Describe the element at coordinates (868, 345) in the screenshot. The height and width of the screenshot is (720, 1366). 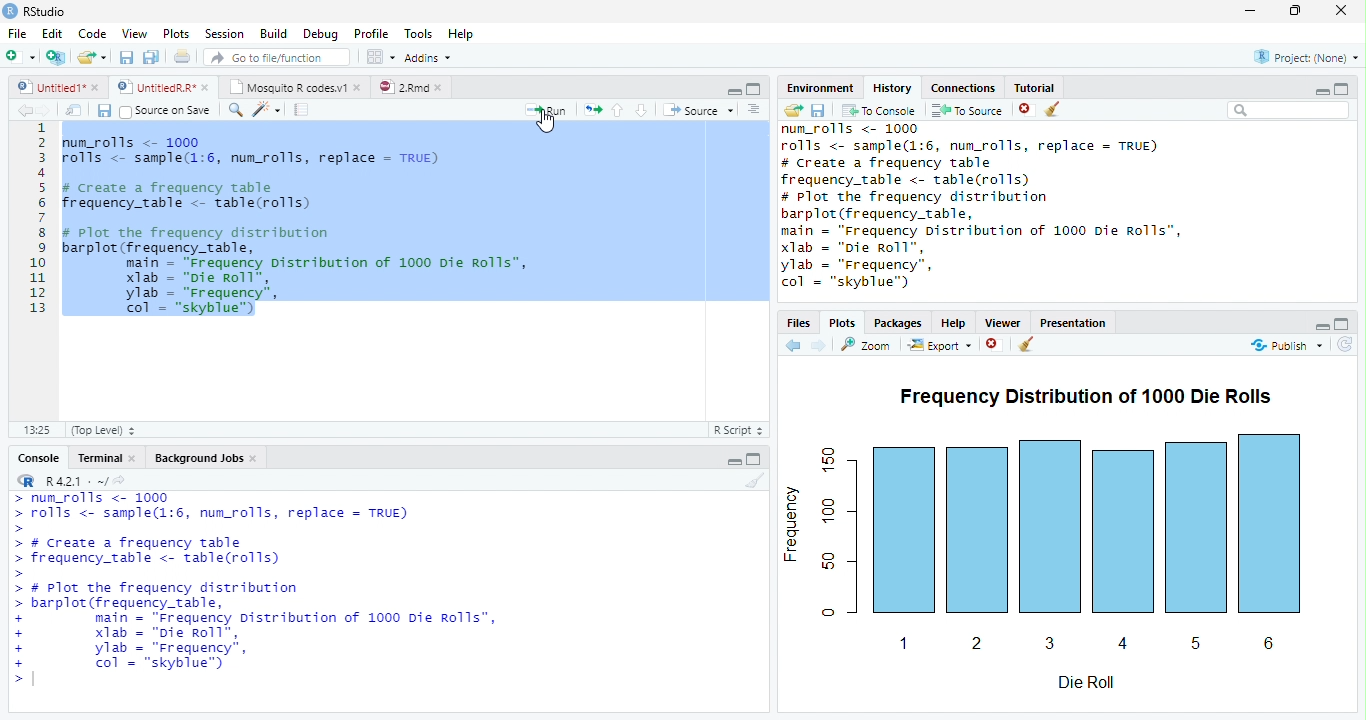
I see `Zoom` at that location.